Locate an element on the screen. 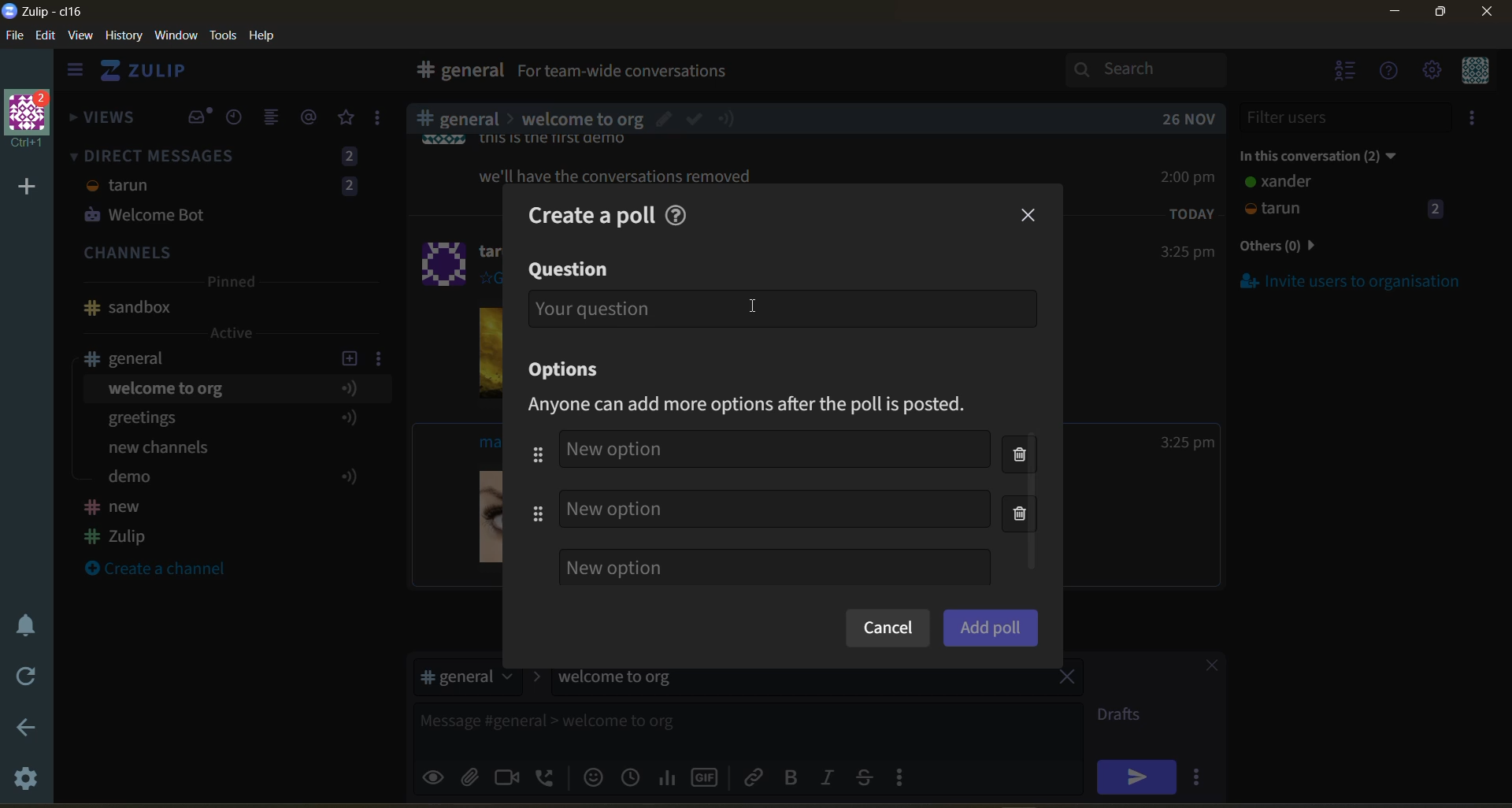 The height and width of the screenshot is (808, 1512). favorites is located at coordinates (347, 118).